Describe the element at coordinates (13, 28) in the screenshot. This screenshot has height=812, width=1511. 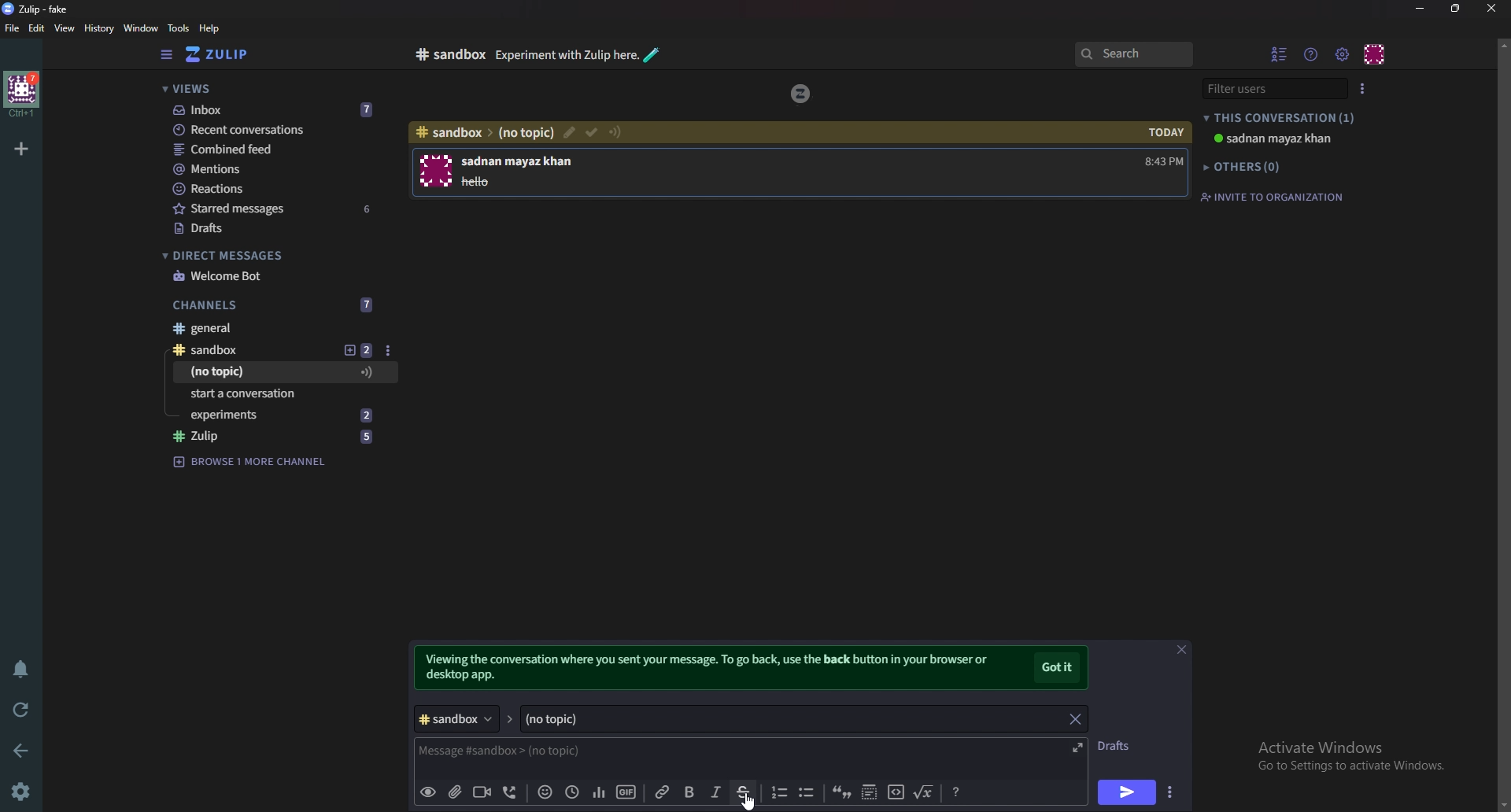
I see `File` at that location.